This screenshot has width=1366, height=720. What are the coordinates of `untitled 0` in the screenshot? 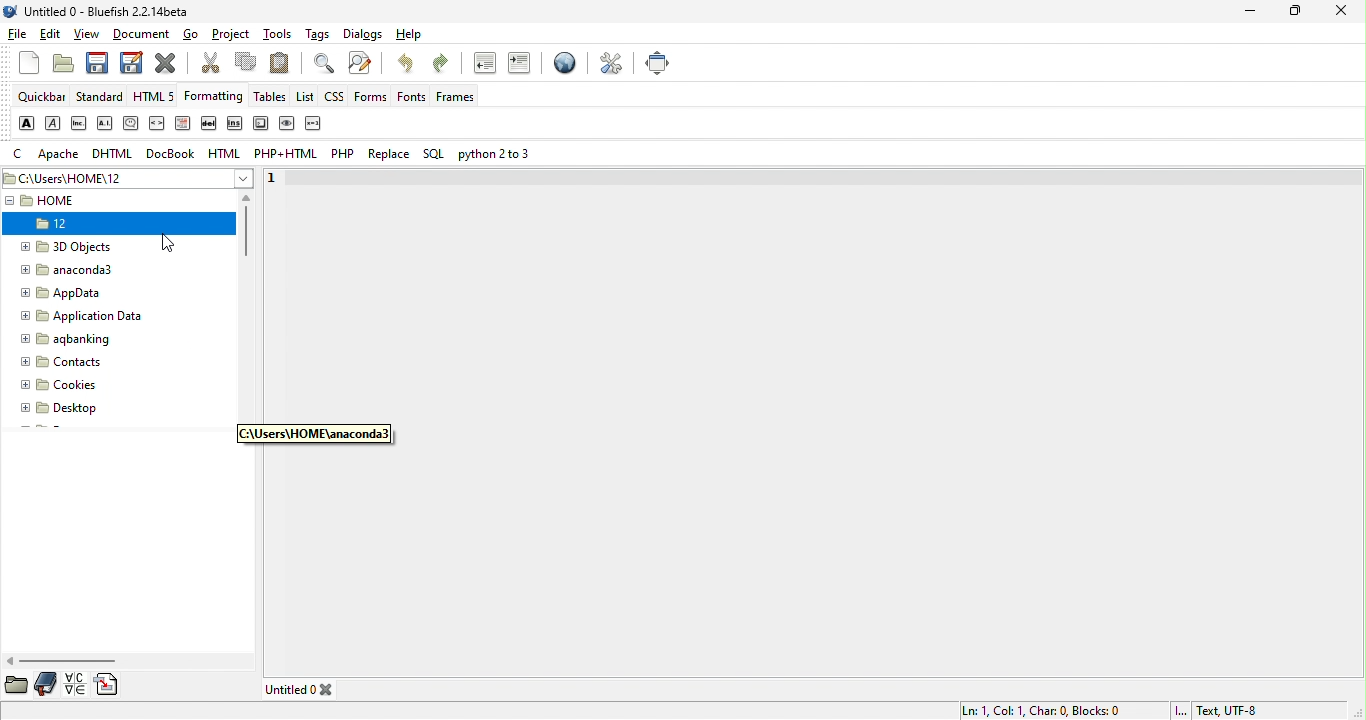 It's located at (304, 690).